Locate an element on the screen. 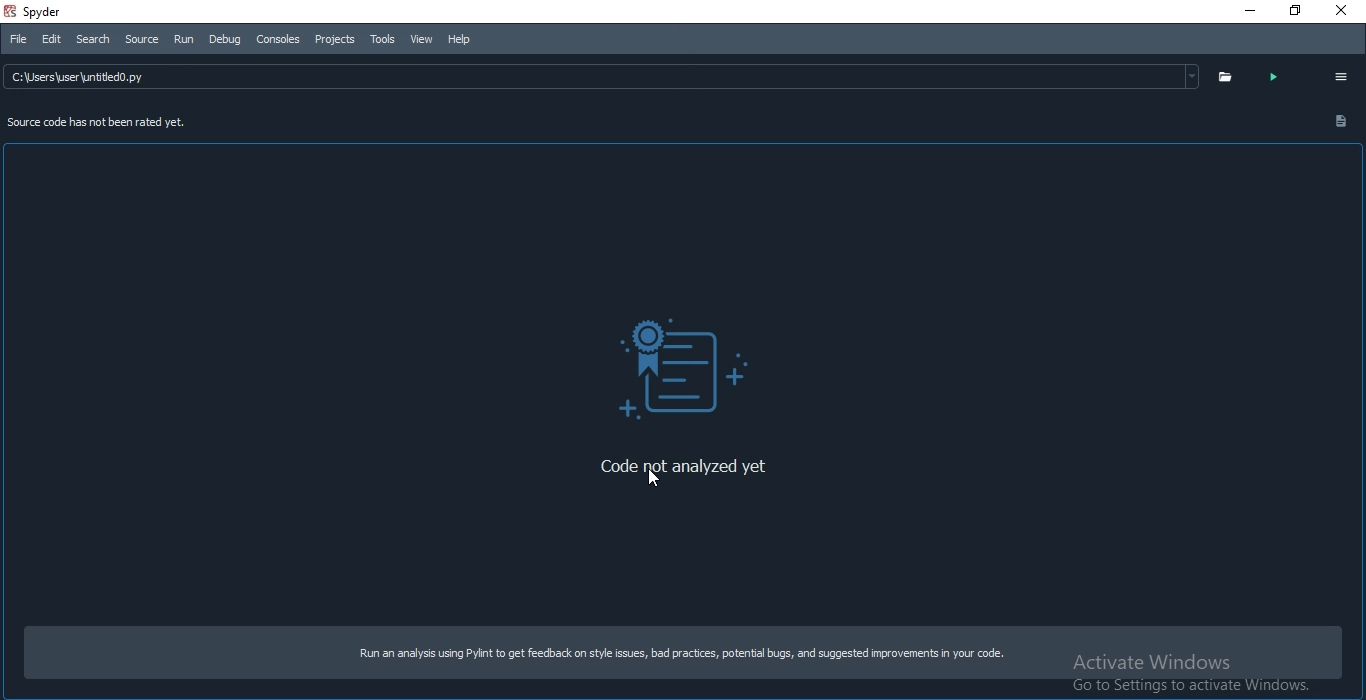  document is located at coordinates (1342, 119).